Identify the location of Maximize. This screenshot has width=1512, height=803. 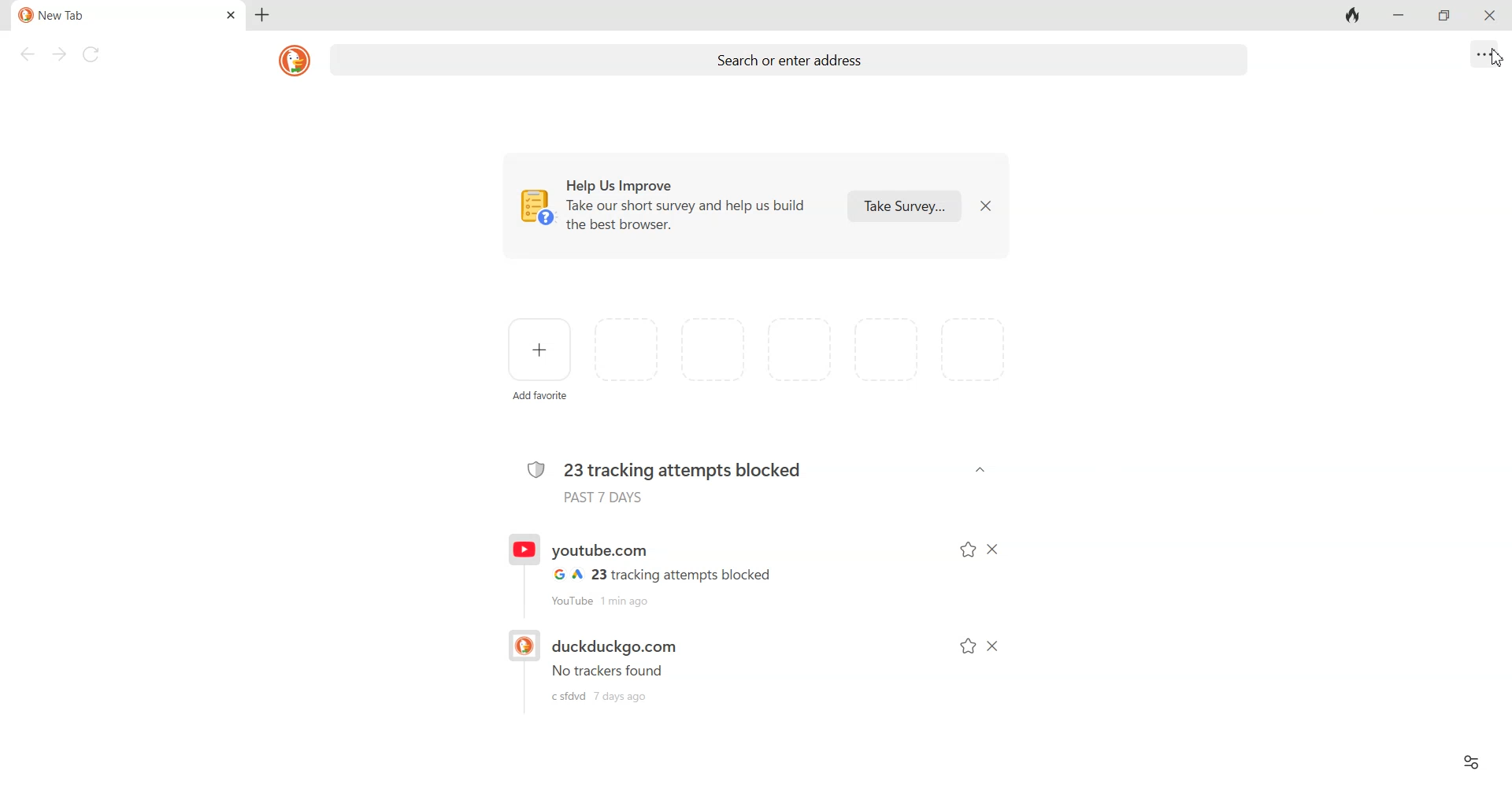
(1447, 17).